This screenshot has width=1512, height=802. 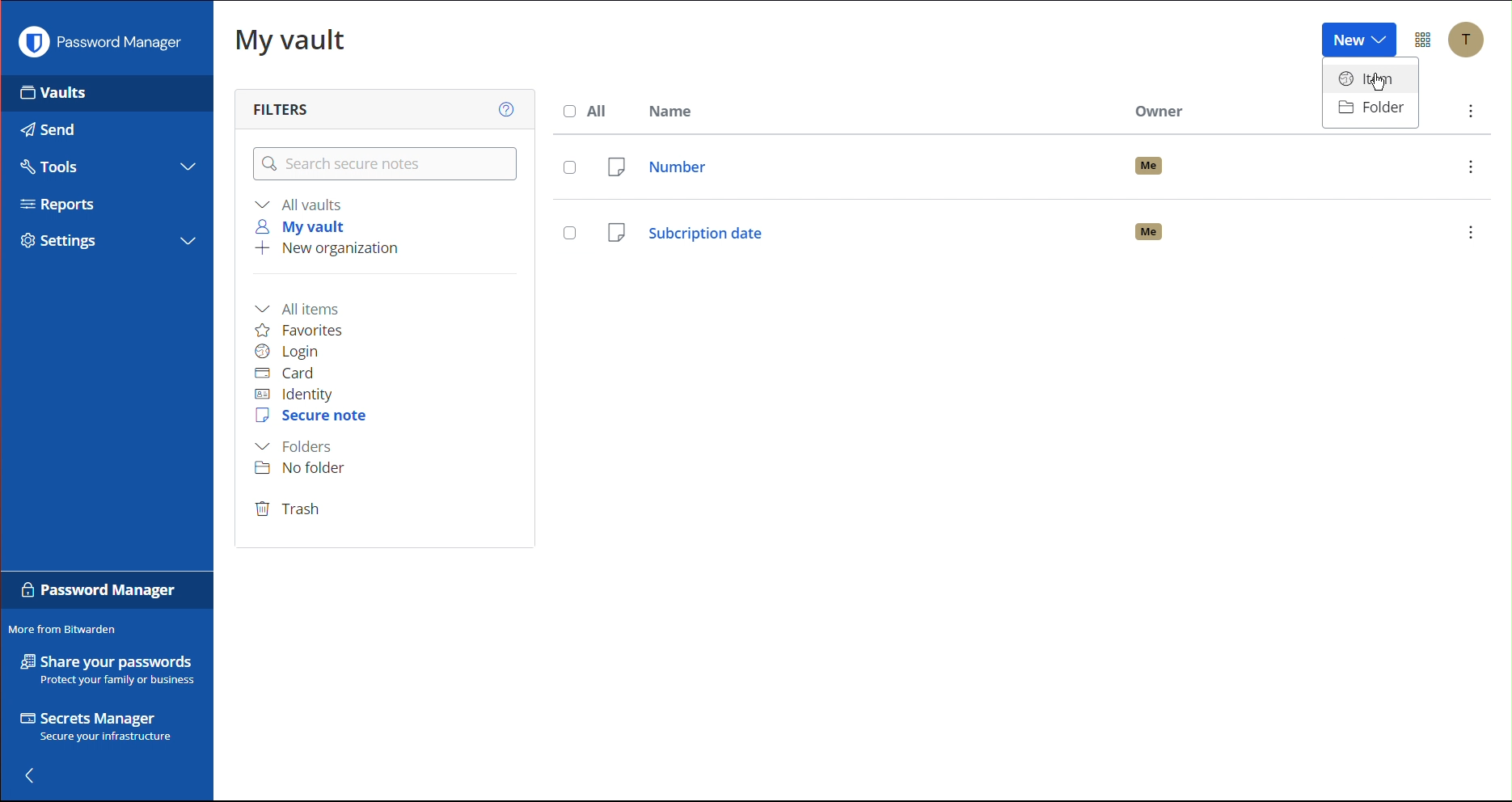 I want to click on Vaults, so click(x=53, y=98).